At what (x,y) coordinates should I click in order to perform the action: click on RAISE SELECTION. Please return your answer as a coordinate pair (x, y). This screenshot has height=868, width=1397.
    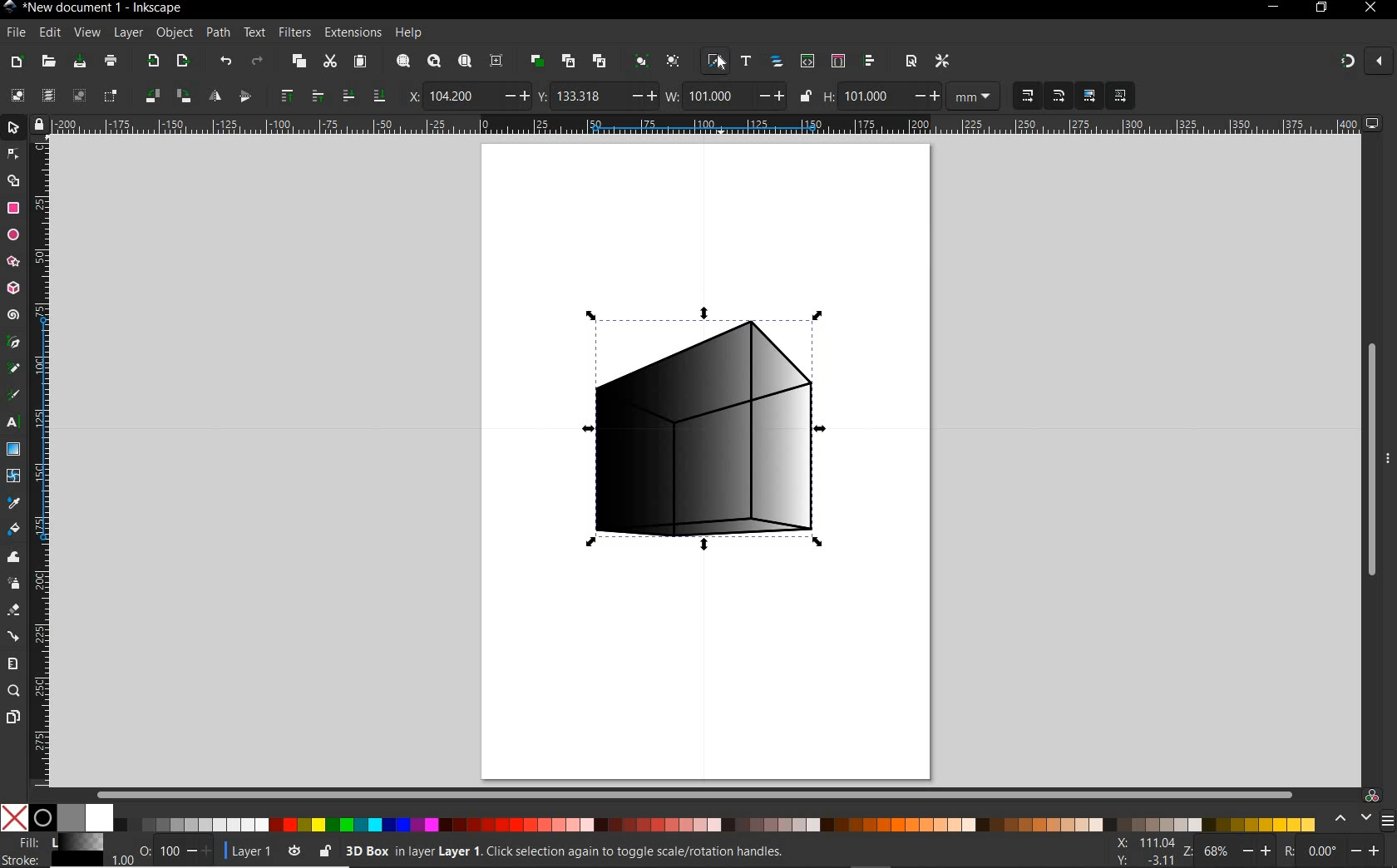
    Looking at the image, I should click on (284, 94).